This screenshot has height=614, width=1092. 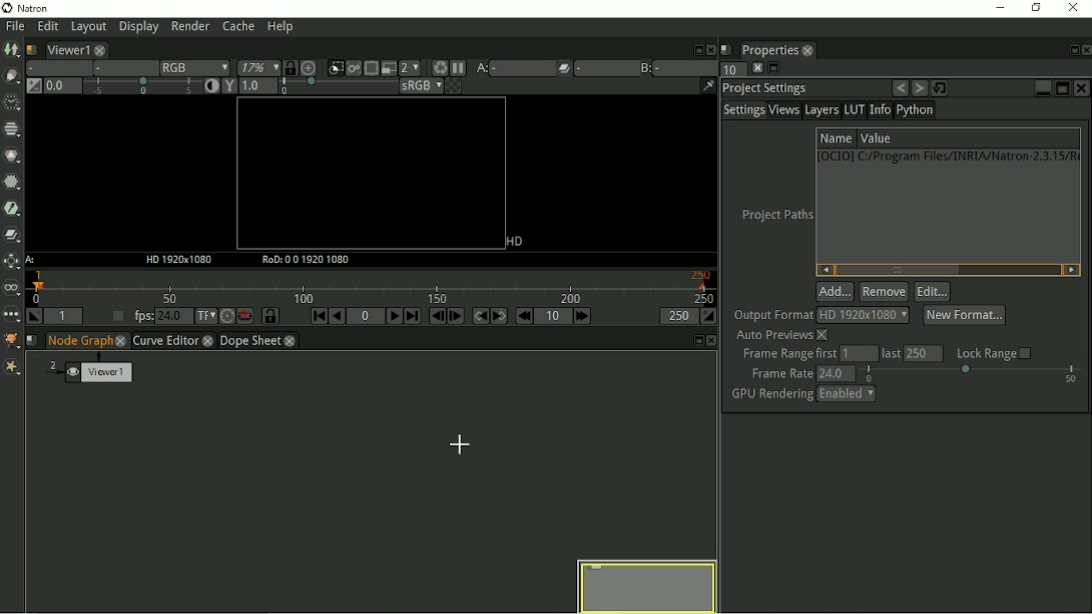 What do you see at coordinates (12, 207) in the screenshot?
I see `Keyer` at bounding box center [12, 207].